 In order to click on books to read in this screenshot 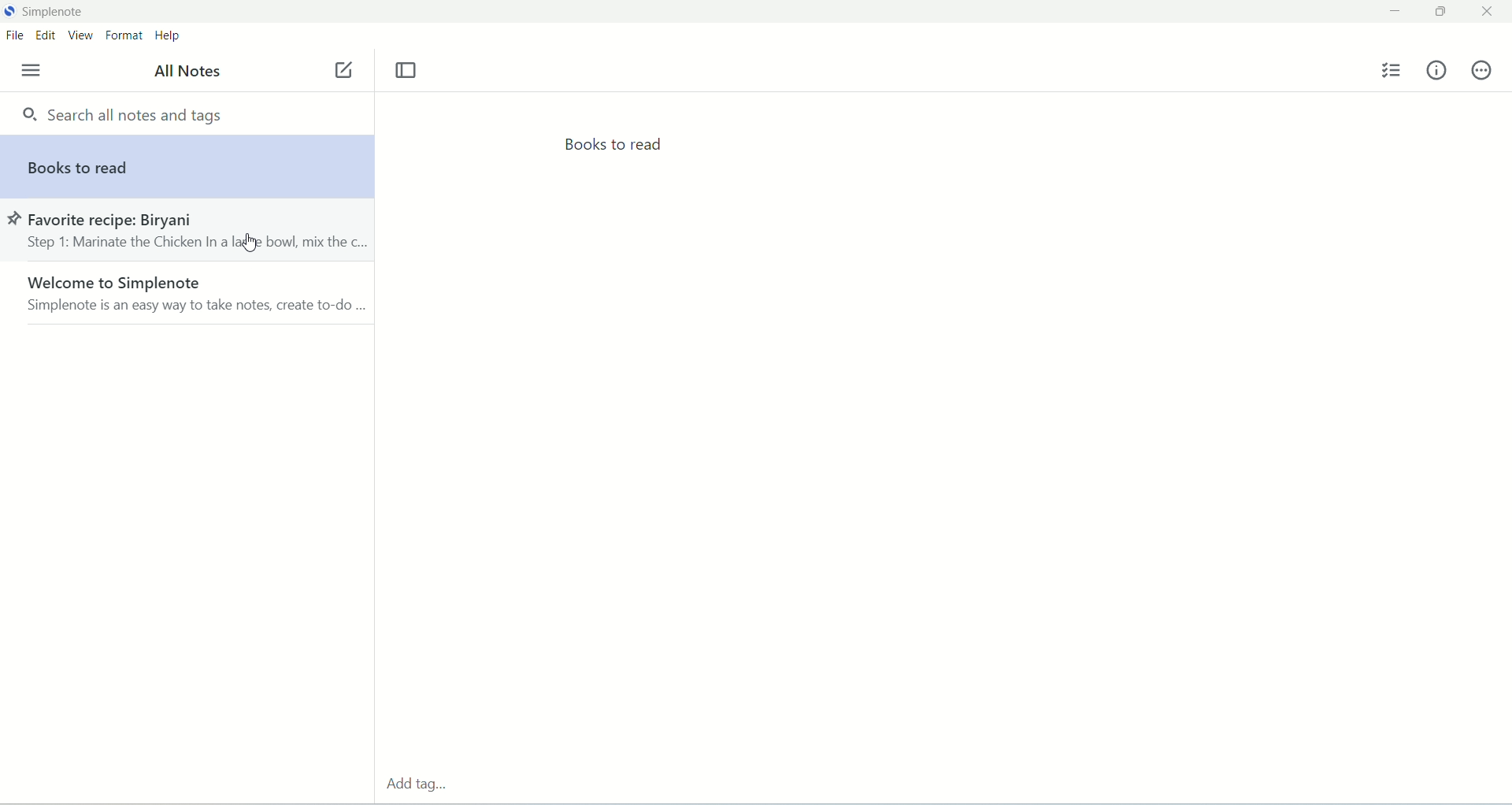, I will do `click(188, 167)`.